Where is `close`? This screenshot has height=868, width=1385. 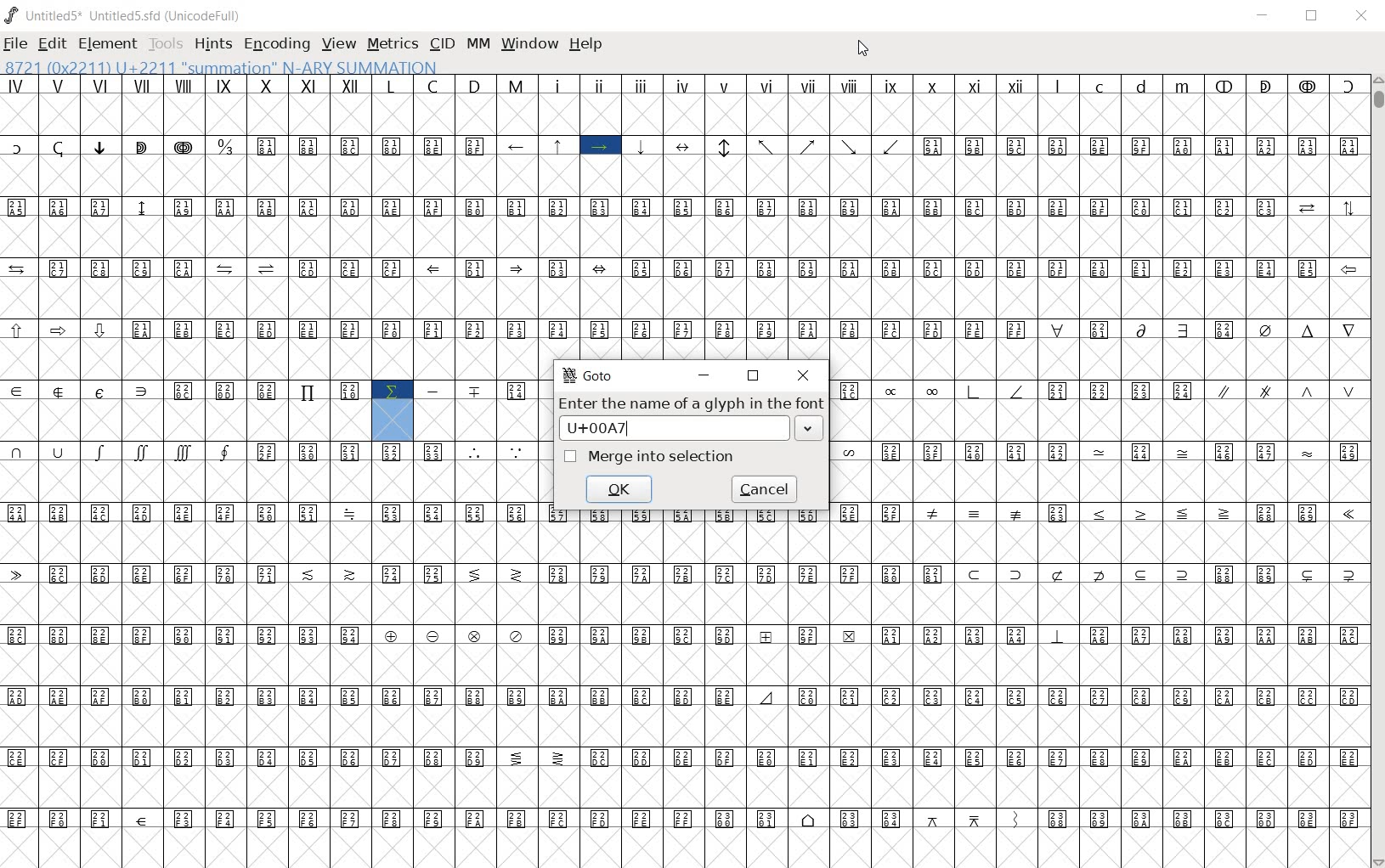
close is located at coordinates (801, 375).